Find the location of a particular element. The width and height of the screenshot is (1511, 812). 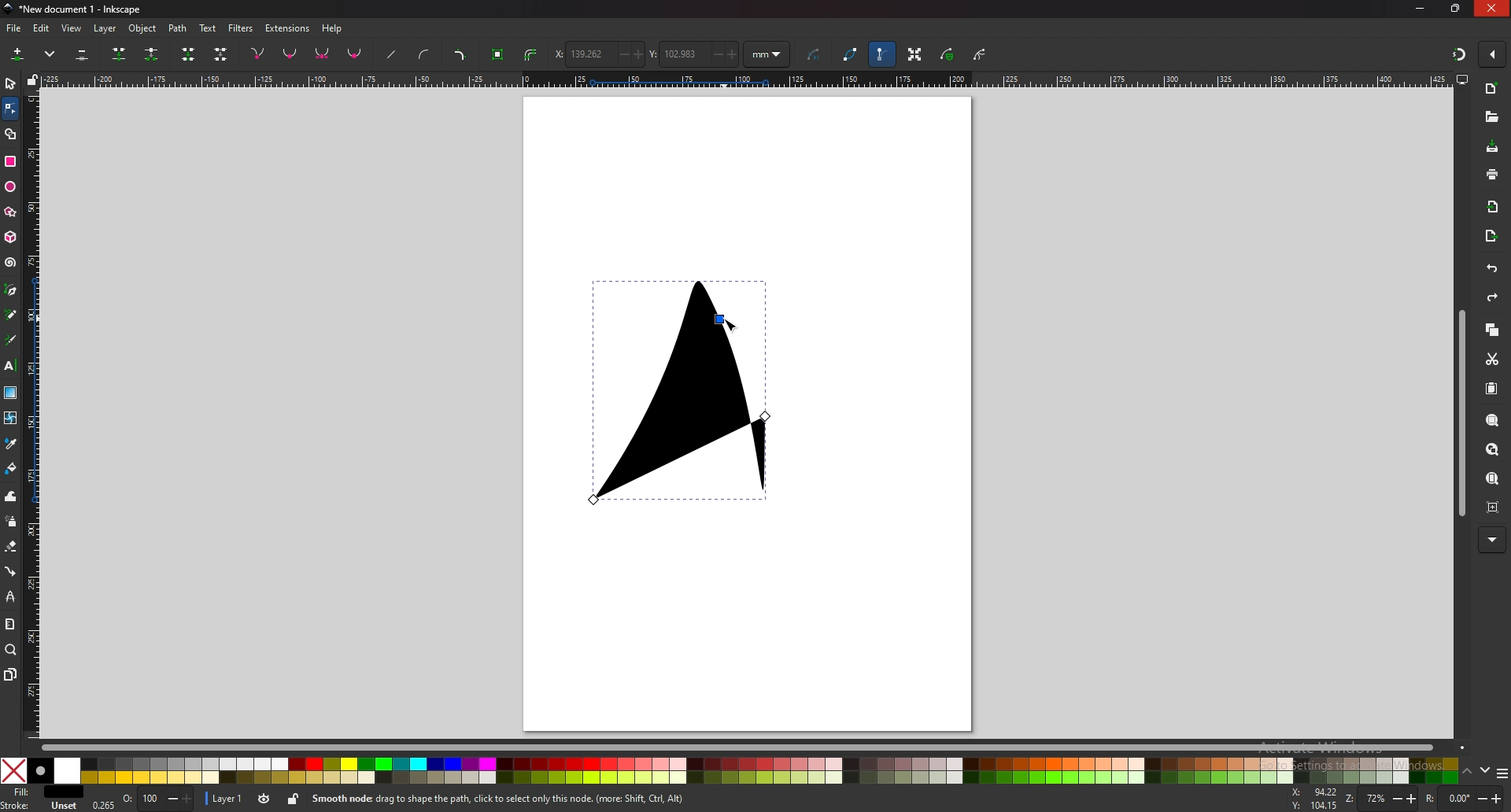

new is located at coordinates (1491, 88).